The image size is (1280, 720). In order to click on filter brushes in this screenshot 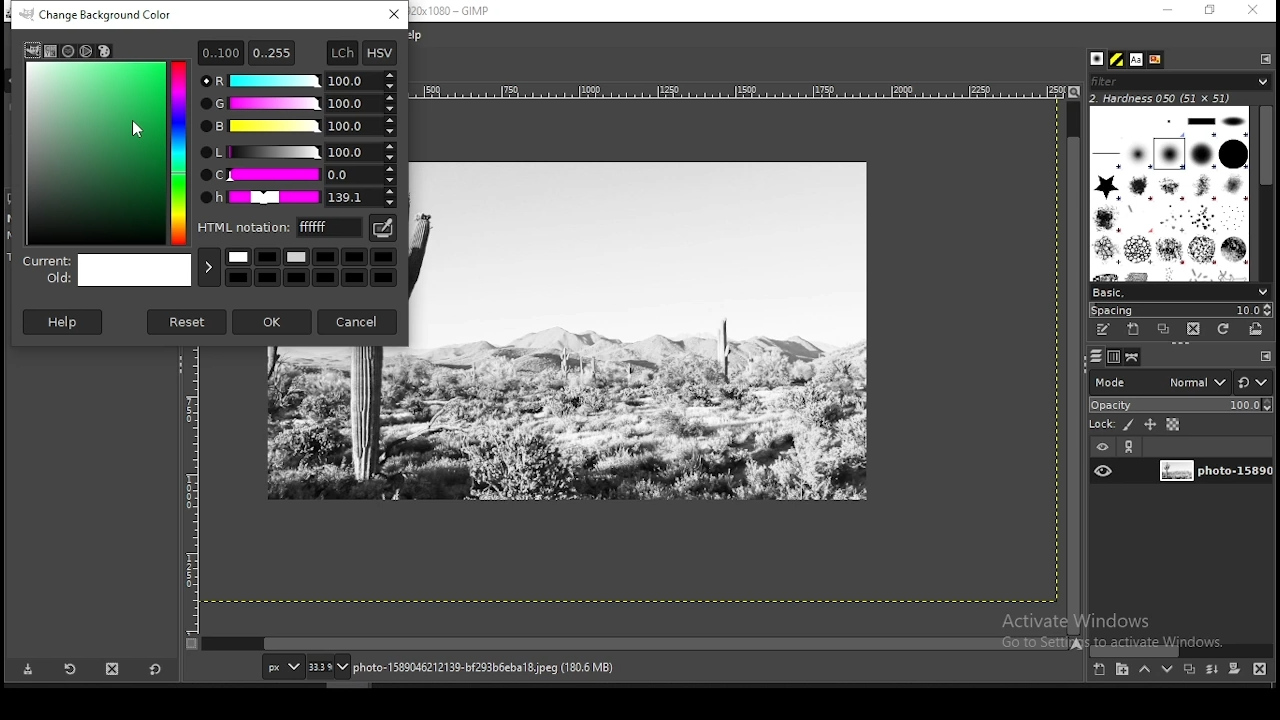, I will do `click(1180, 81)`.